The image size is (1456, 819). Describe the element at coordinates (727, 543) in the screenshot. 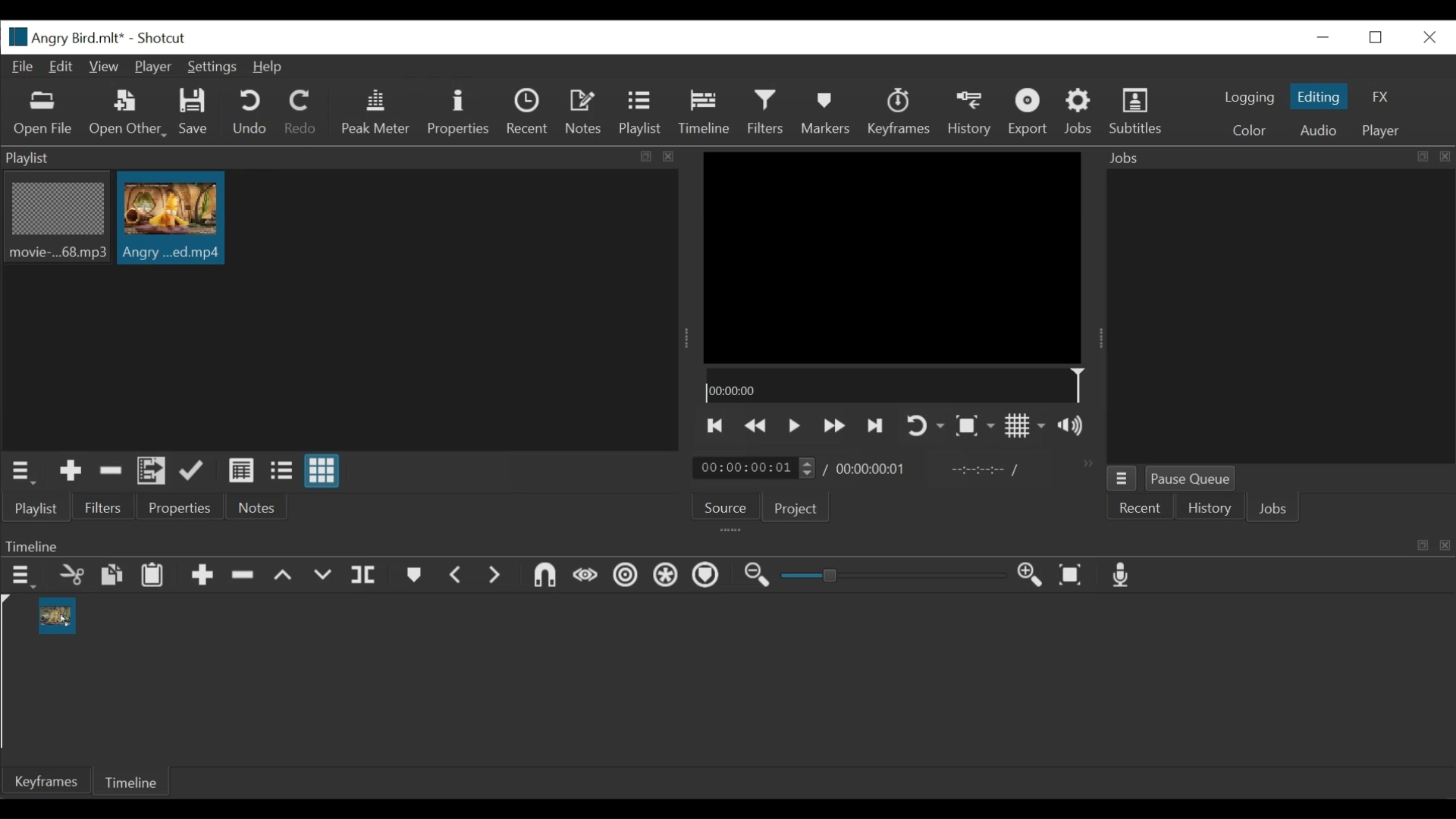

I see `Timeline` at that location.